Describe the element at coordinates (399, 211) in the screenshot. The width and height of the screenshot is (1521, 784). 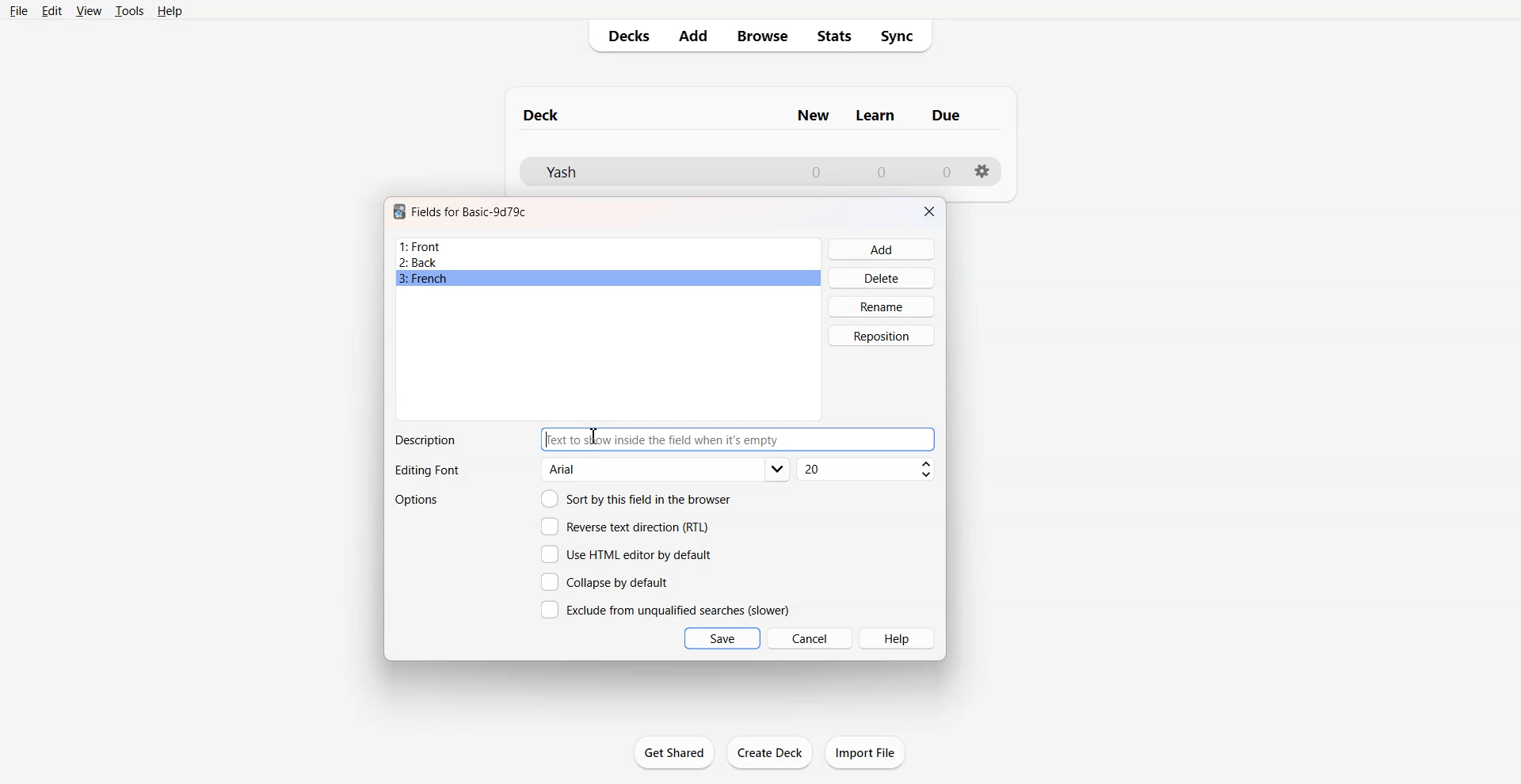
I see `Software logo` at that location.